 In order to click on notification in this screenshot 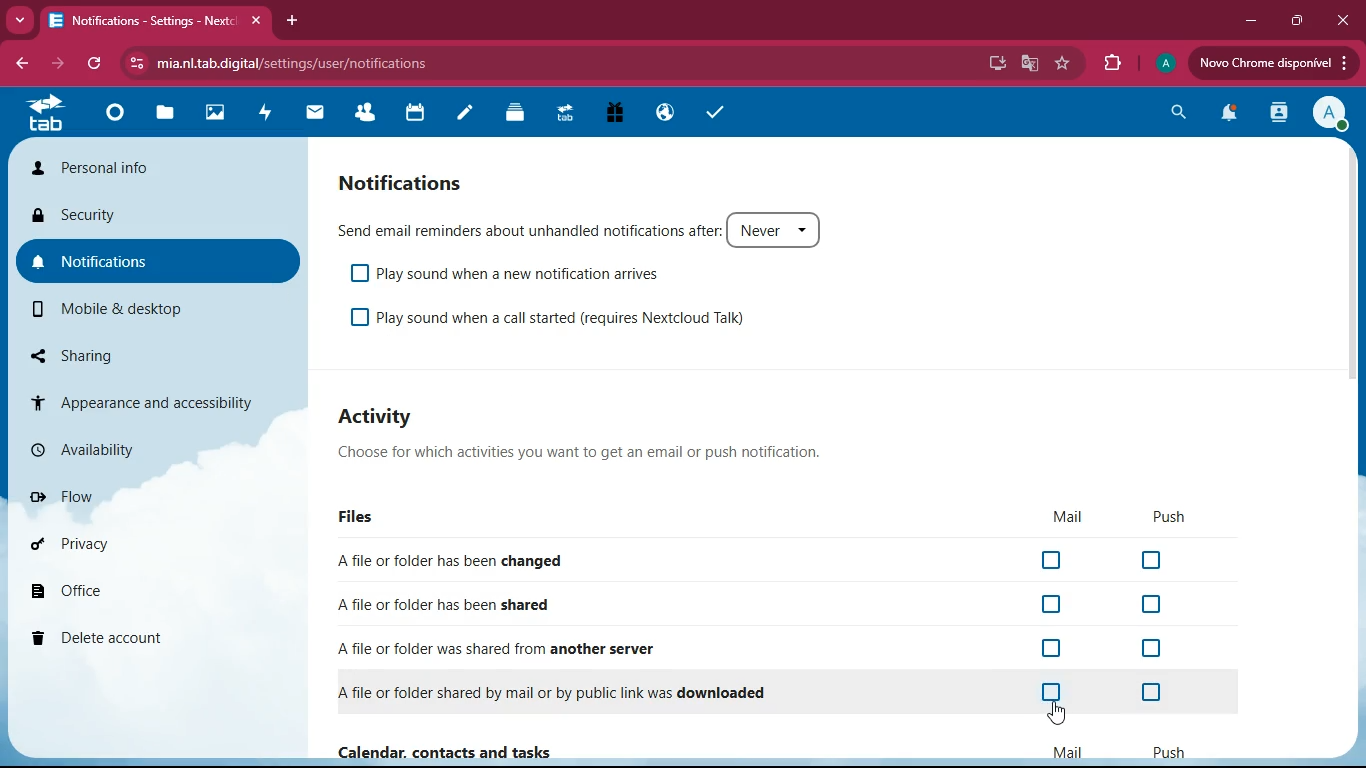, I will do `click(1223, 116)`.